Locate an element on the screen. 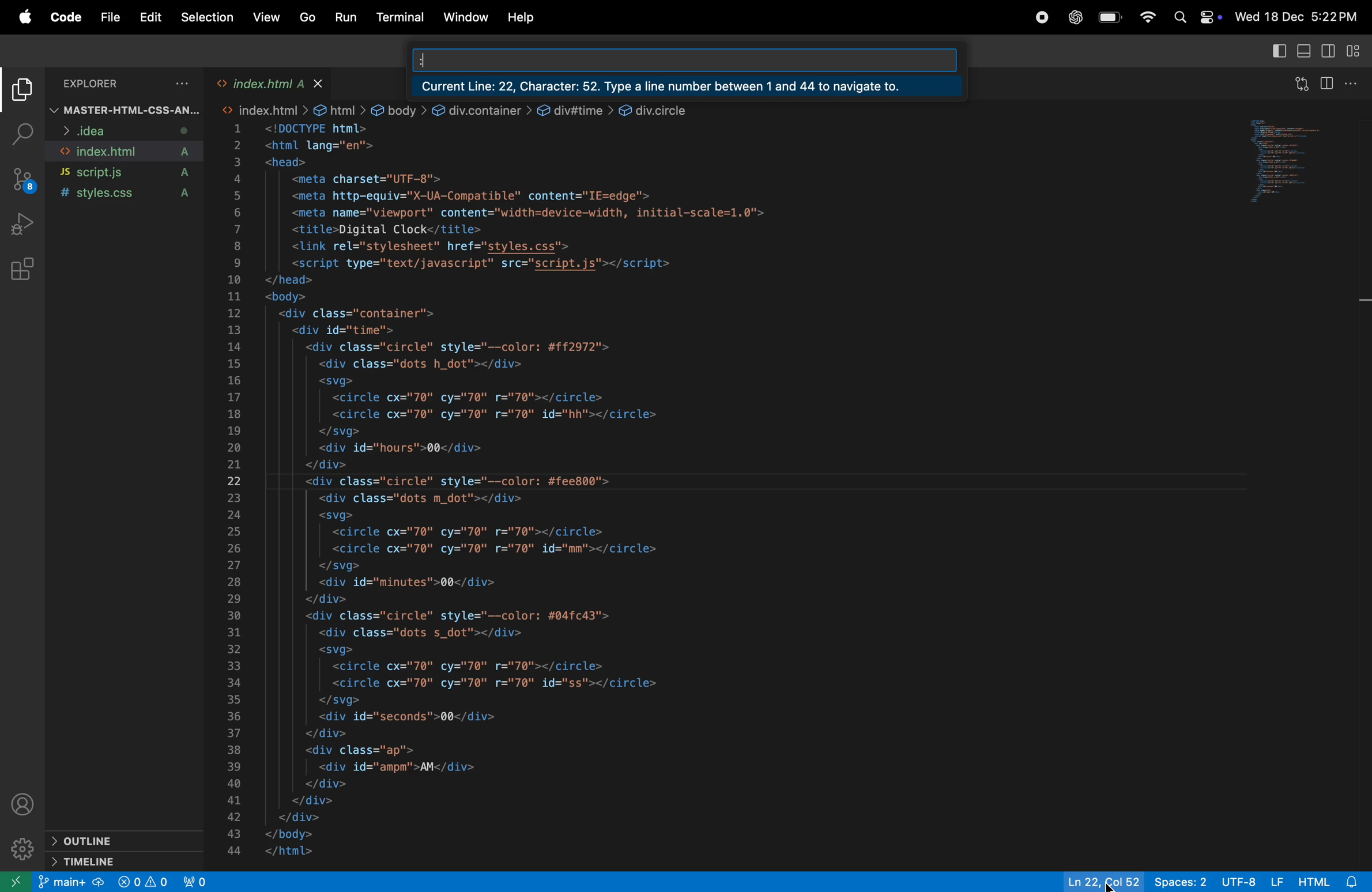 The width and height of the screenshot is (1372, 892). html alert is located at coordinates (1333, 880).